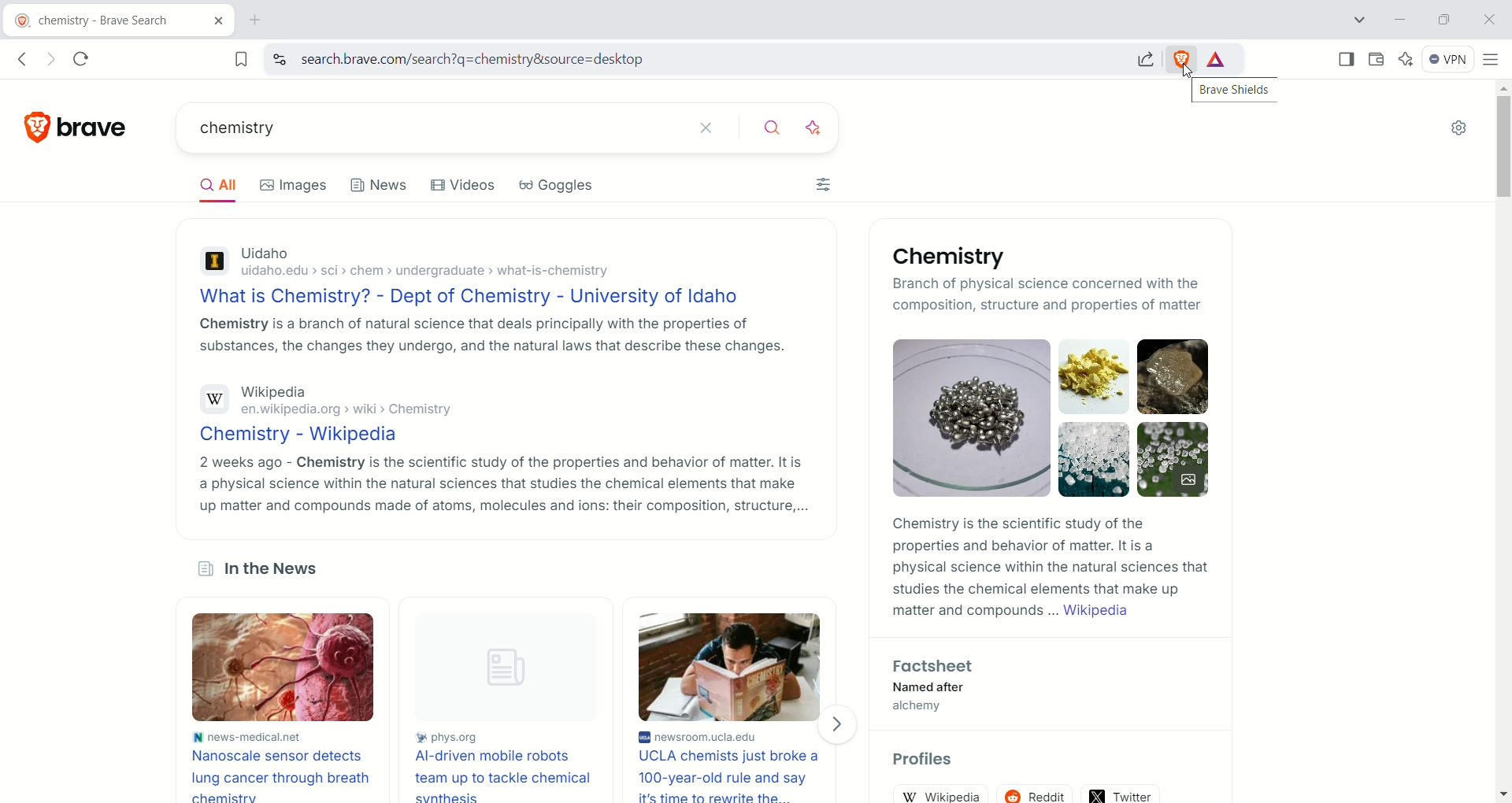 The image size is (1512, 803). What do you see at coordinates (1409, 57) in the screenshot?
I see `leo AI` at bounding box center [1409, 57].